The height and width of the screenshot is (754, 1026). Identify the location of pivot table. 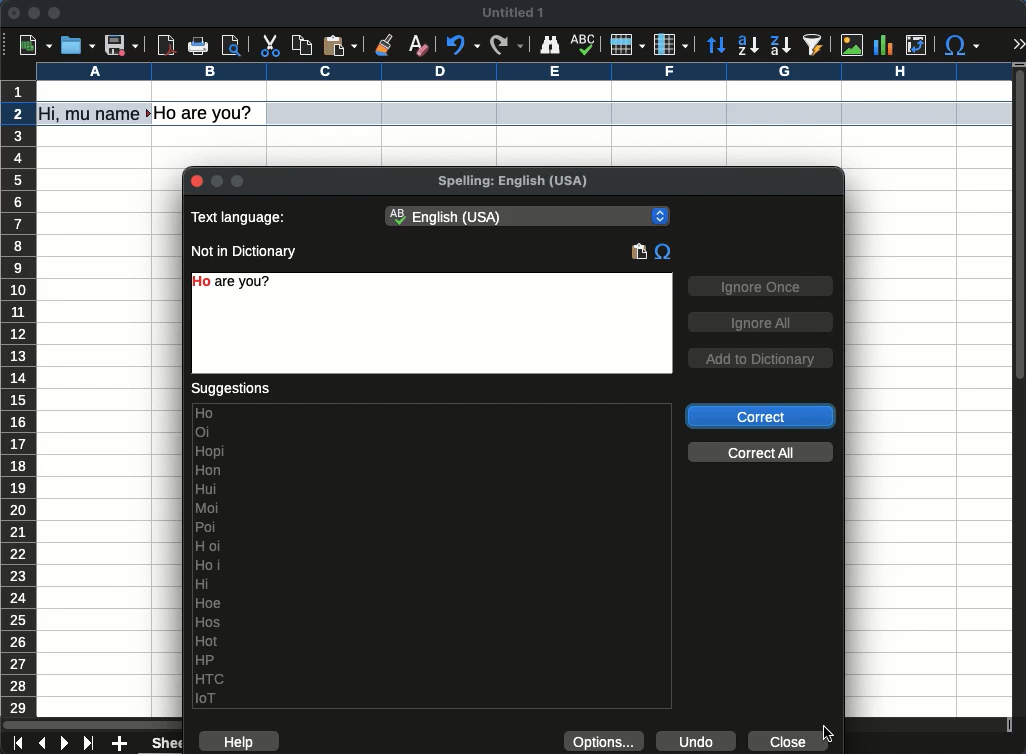
(917, 45).